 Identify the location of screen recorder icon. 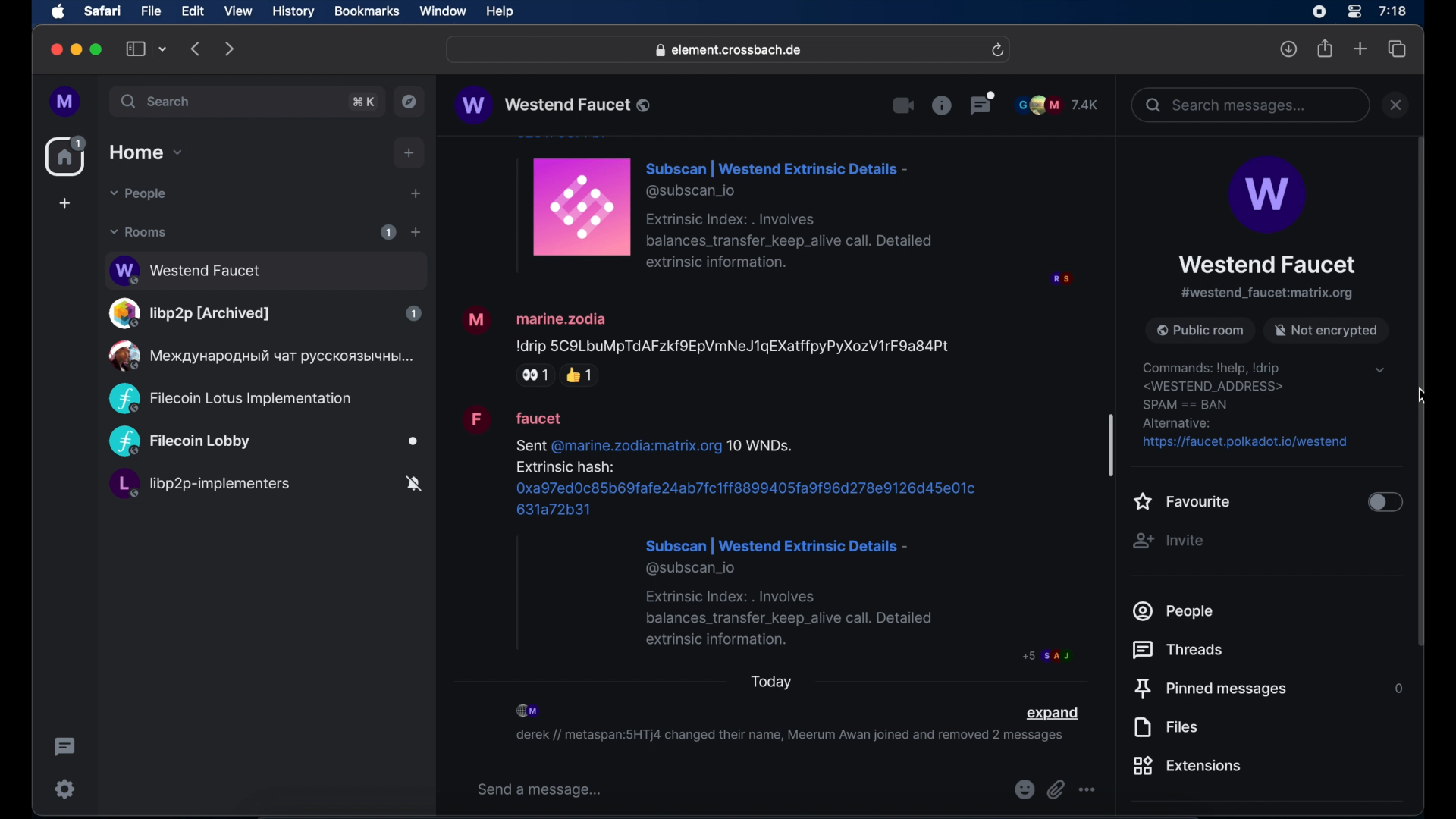
(1319, 12).